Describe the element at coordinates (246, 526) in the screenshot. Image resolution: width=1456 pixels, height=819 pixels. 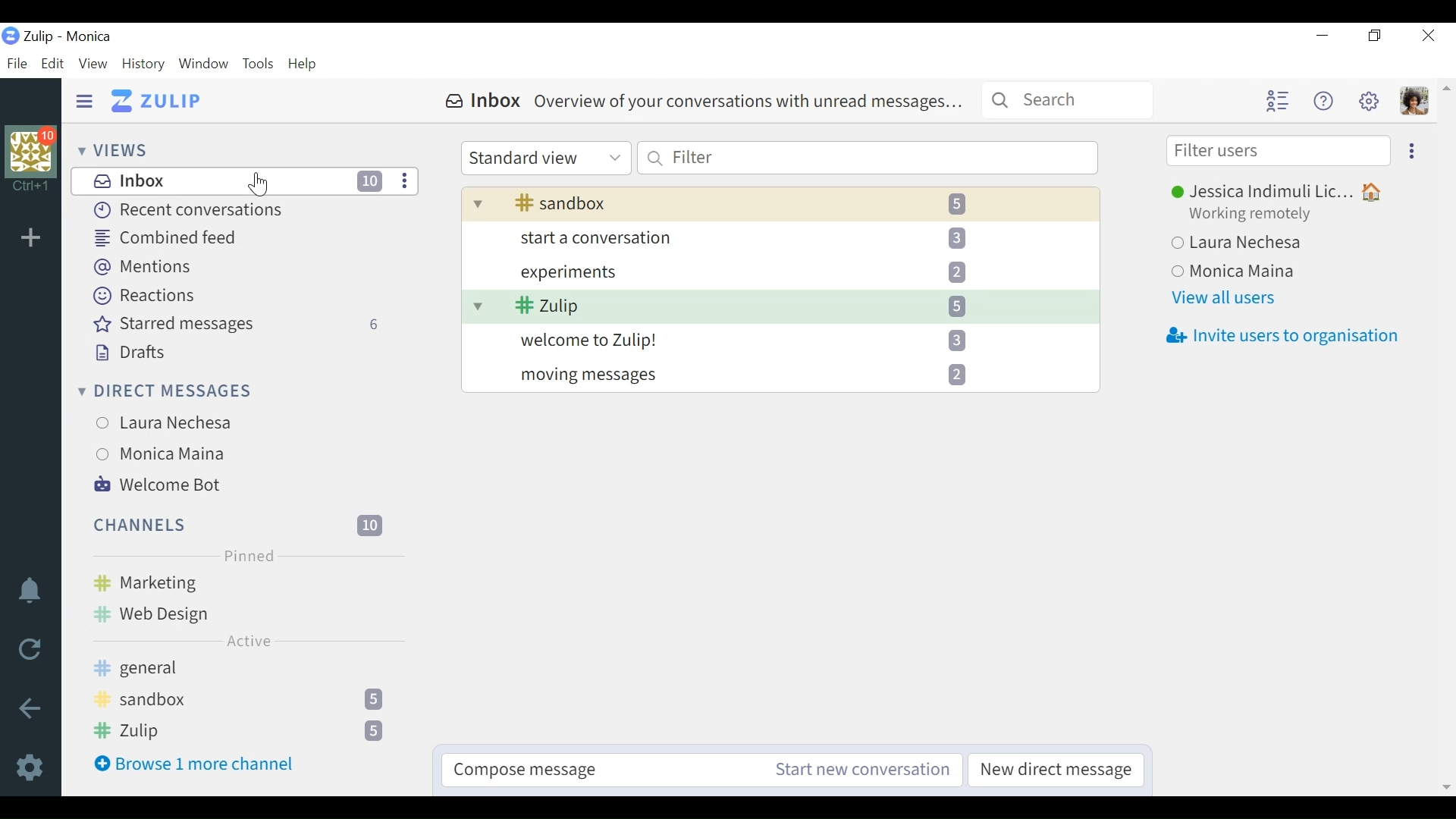
I see `Channels` at that location.